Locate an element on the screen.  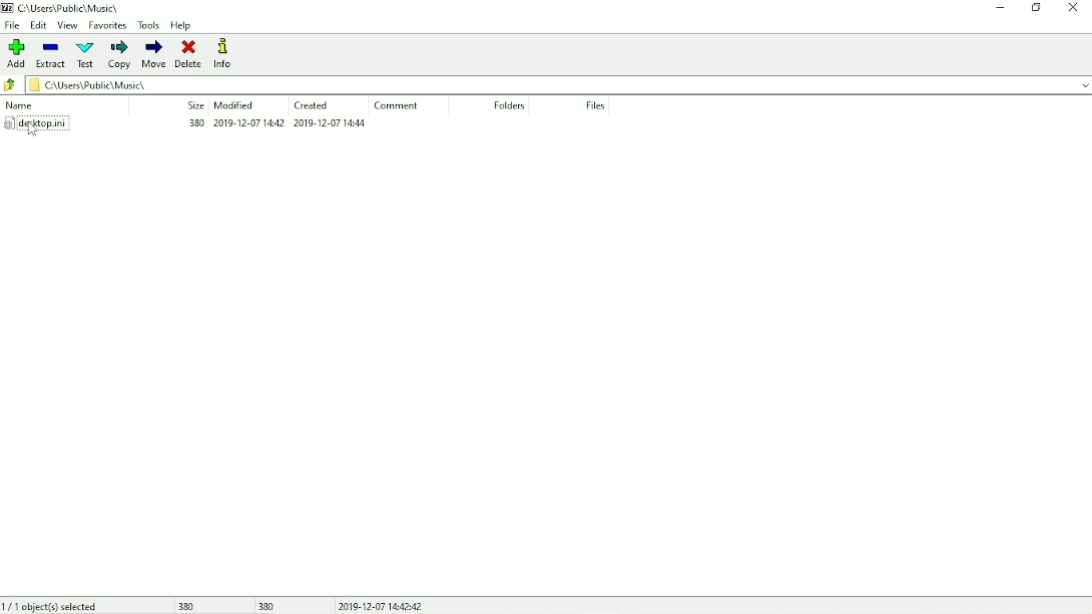
Test is located at coordinates (86, 55).